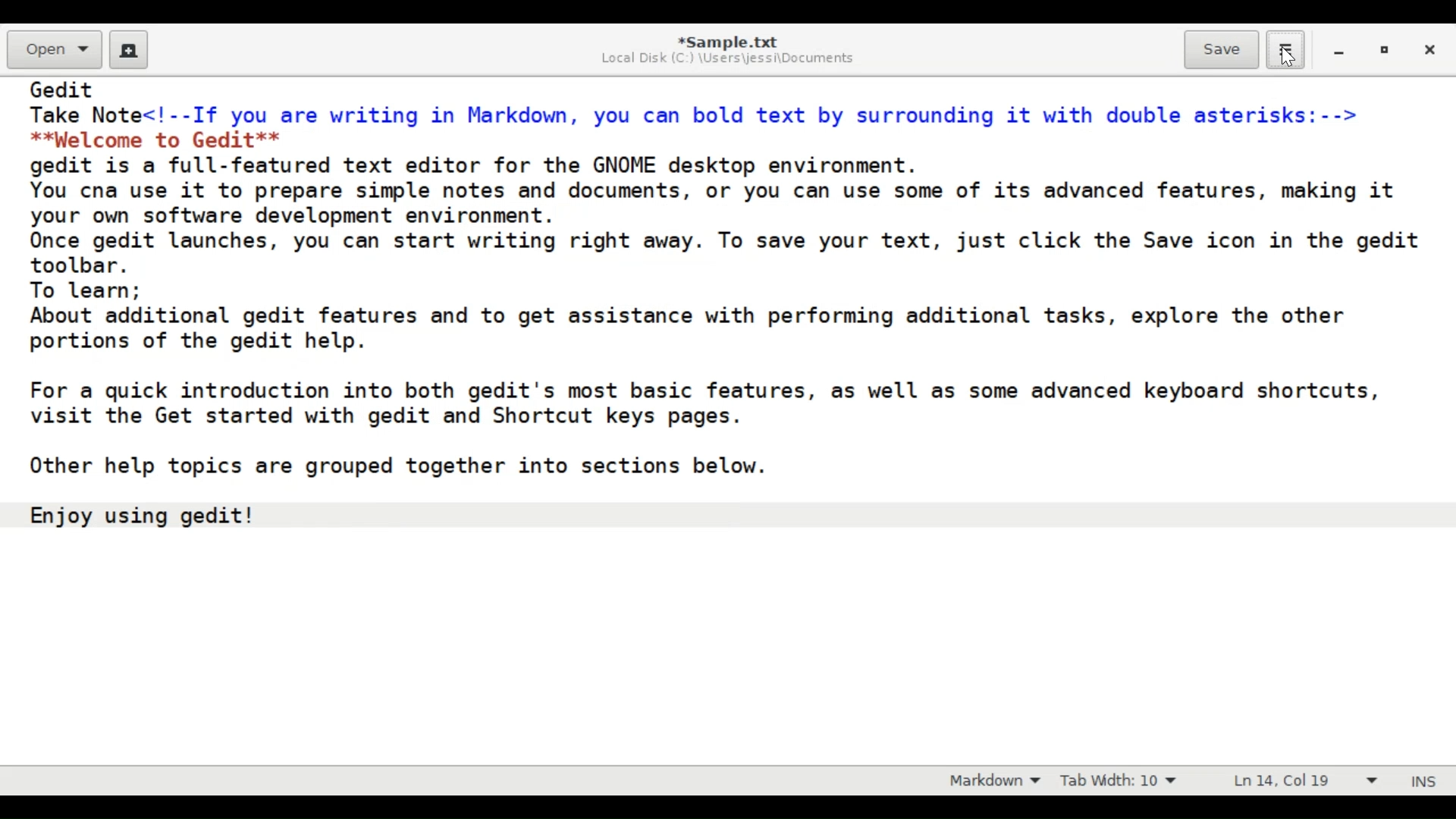 The width and height of the screenshot is (1456, 819). What do you see at coordinates (1116, 780) in the screenshot?
I see `Tab Width: 10` at bounding box center [1116, 780].